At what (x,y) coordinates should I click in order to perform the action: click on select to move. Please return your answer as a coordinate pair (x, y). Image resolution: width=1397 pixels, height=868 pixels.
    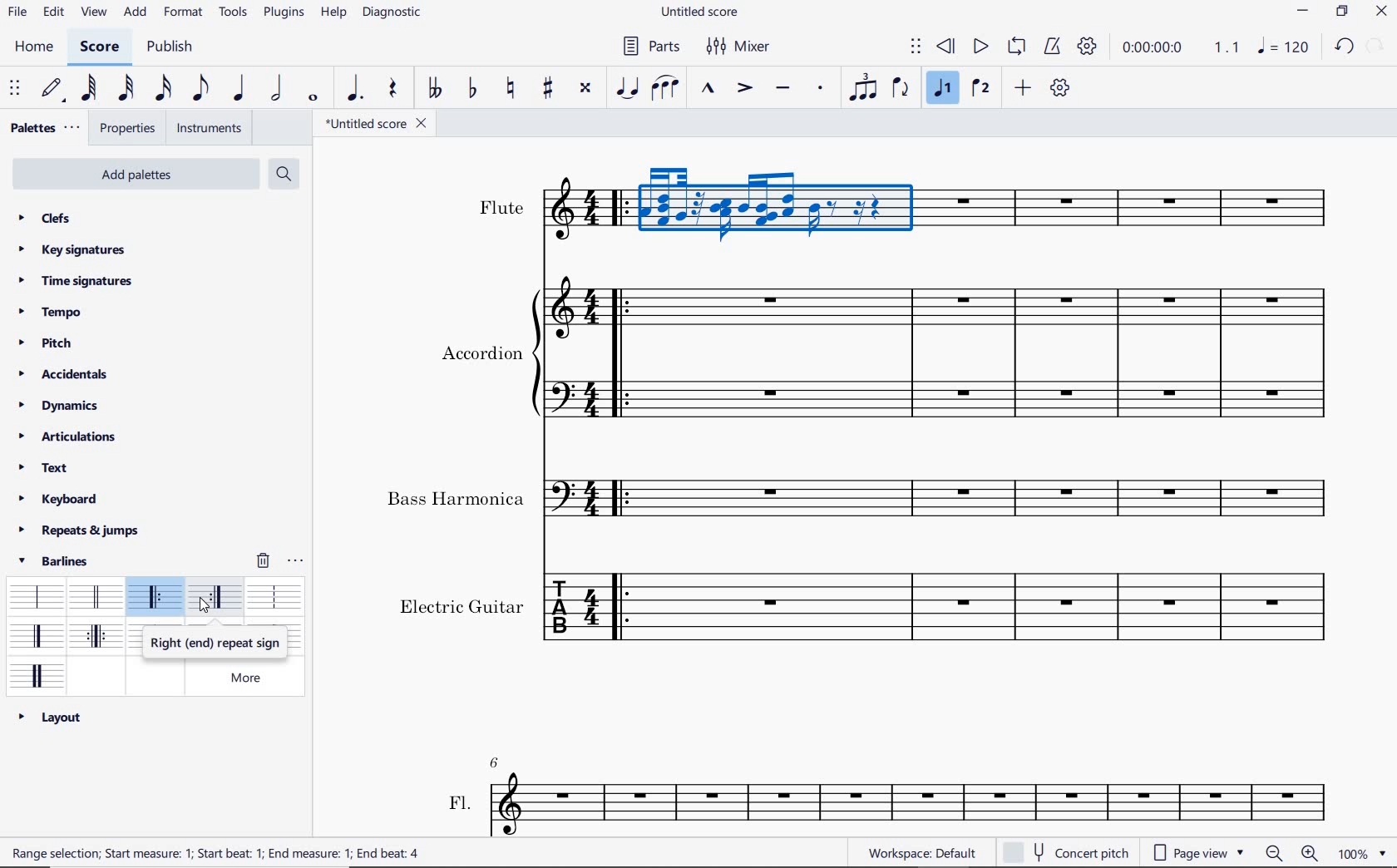
    Looking at the image, I should click on (916, 47).